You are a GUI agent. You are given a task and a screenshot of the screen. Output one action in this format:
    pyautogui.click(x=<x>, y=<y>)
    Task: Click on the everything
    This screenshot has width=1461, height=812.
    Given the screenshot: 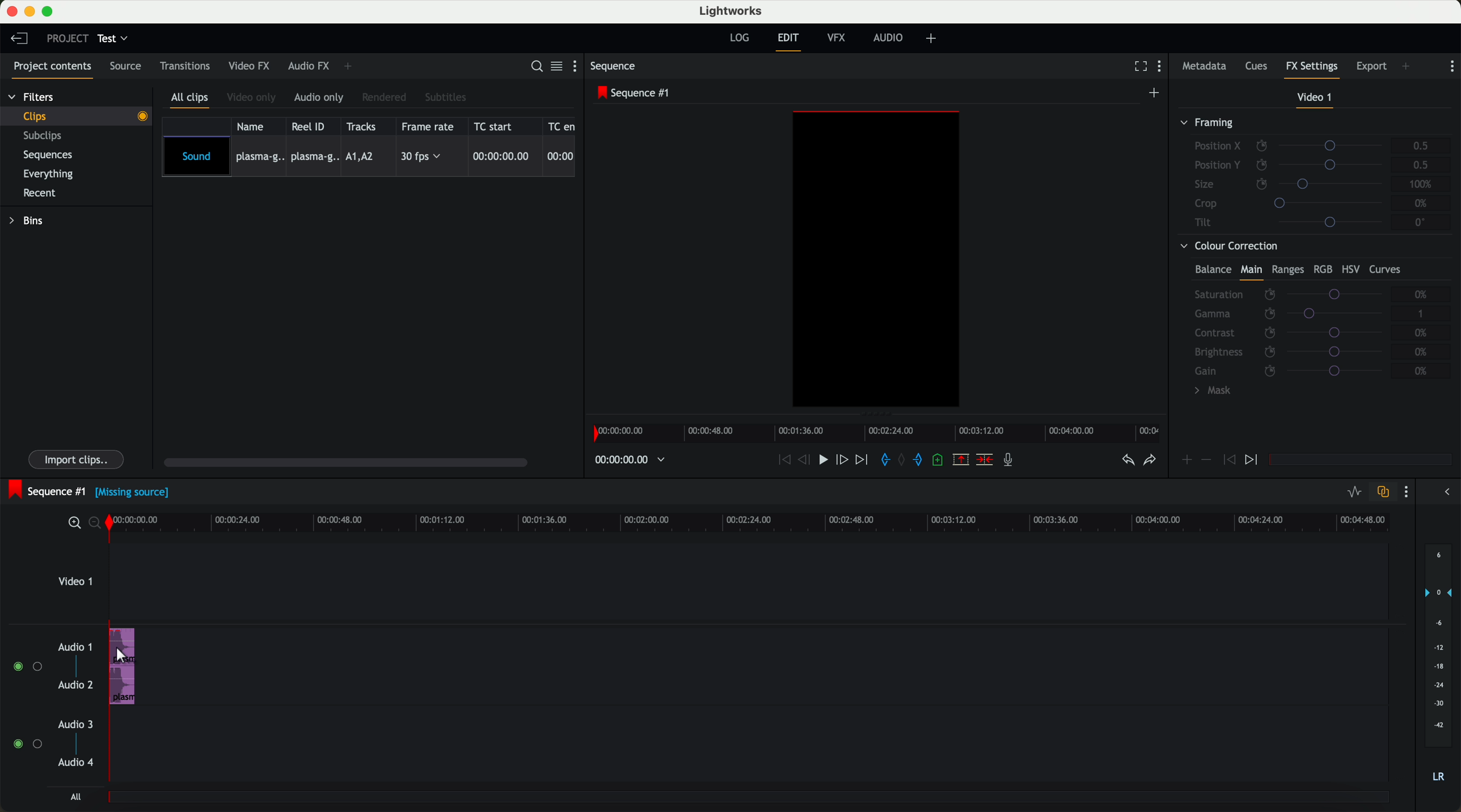 What is the action you would take?
    pyautogui.click(x=54, y=173)
    